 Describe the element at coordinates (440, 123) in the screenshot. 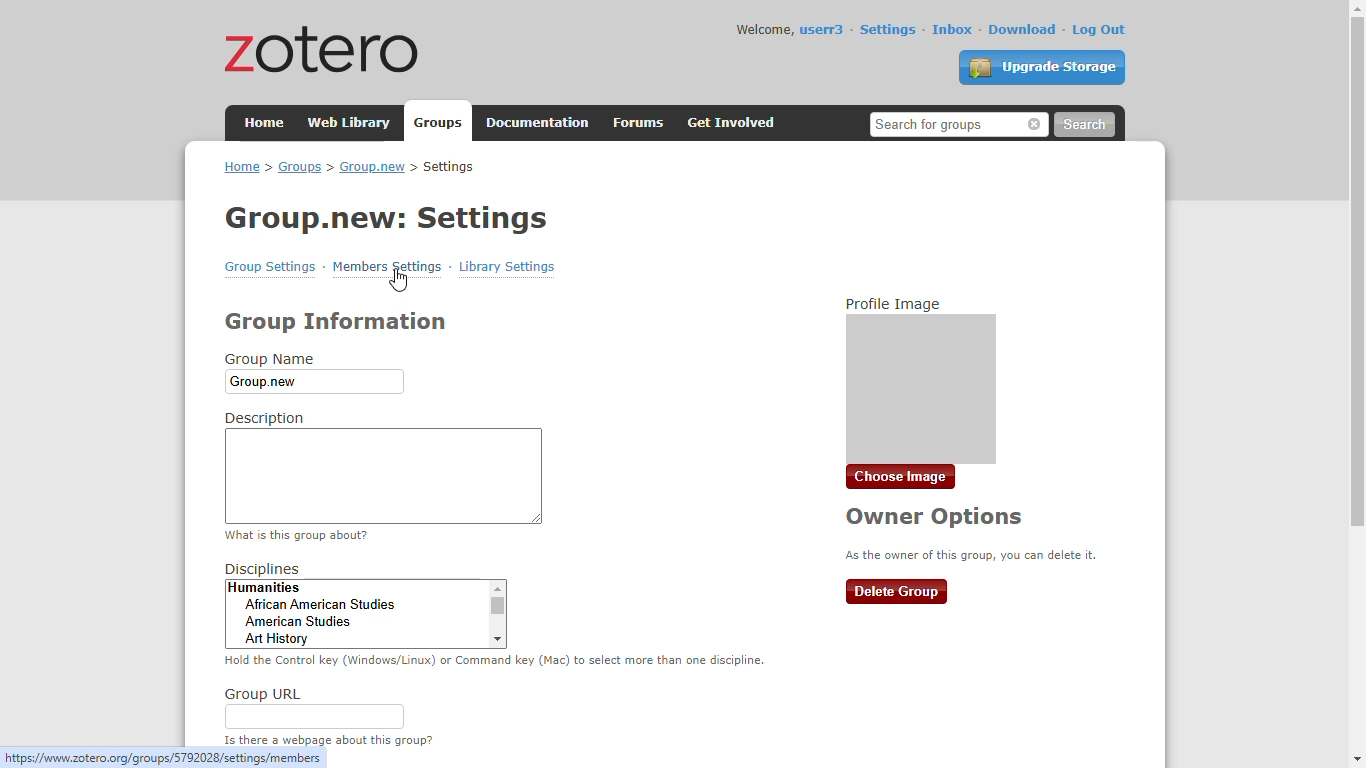

I see `groups` at that location.